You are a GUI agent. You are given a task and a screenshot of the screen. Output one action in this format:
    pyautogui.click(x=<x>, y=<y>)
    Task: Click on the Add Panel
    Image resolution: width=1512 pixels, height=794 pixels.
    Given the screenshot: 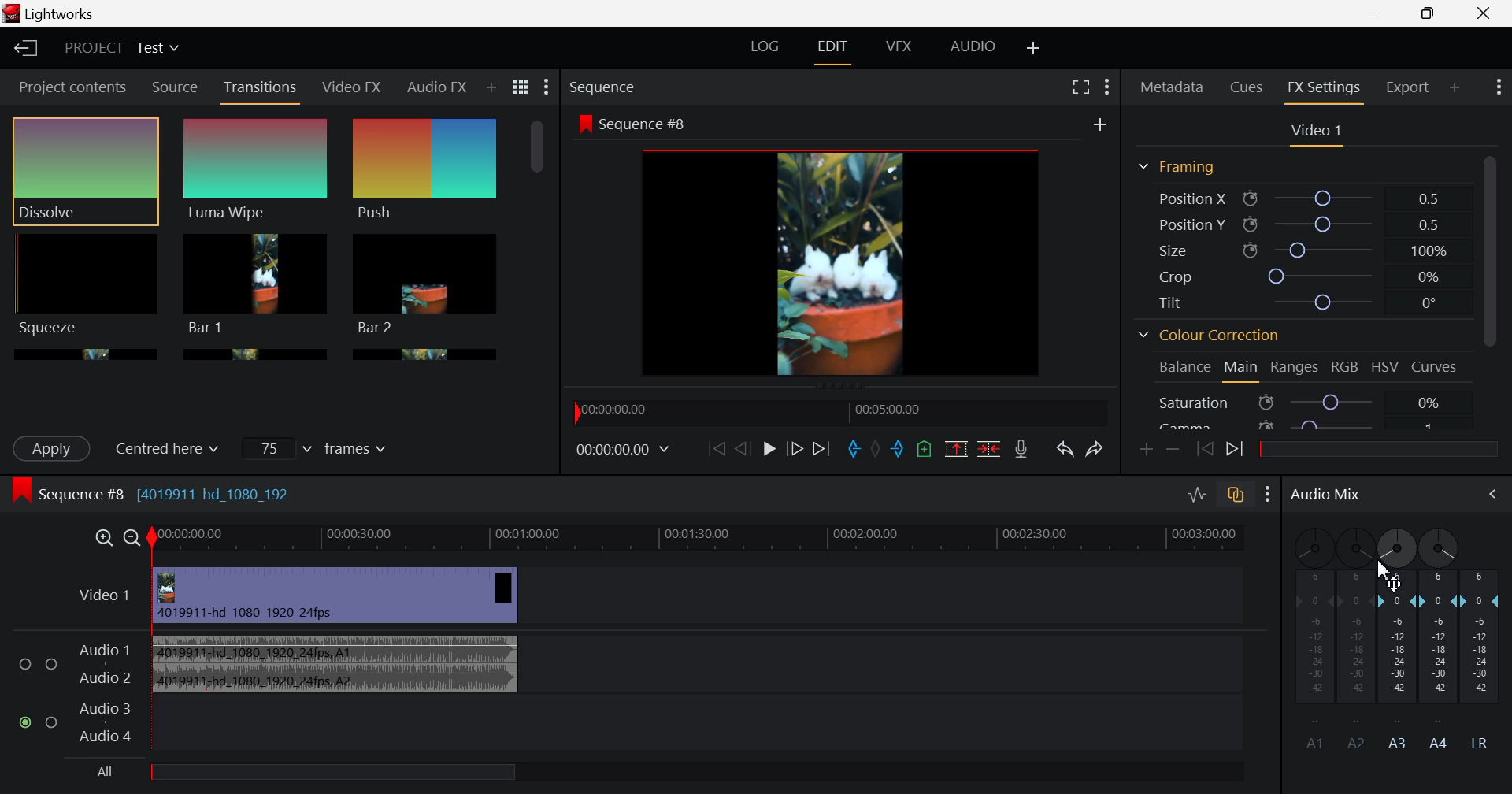 What is the action you would take?
    pyautogui.click(x=491, y=88)
    